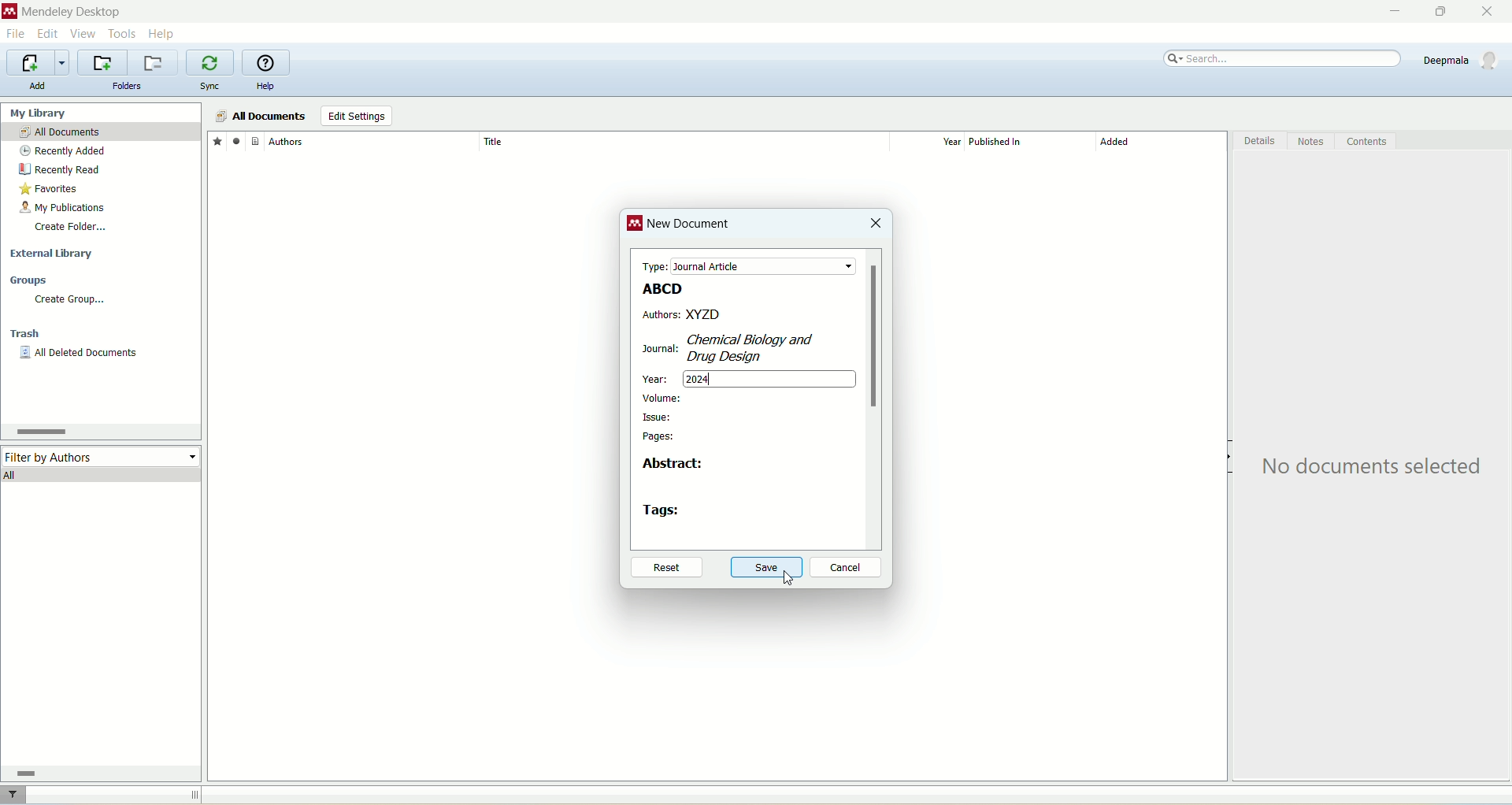  What do you see at coordinates (65, 209) in the screenshot?
I see `my publication` at bounding box center [65, 209].